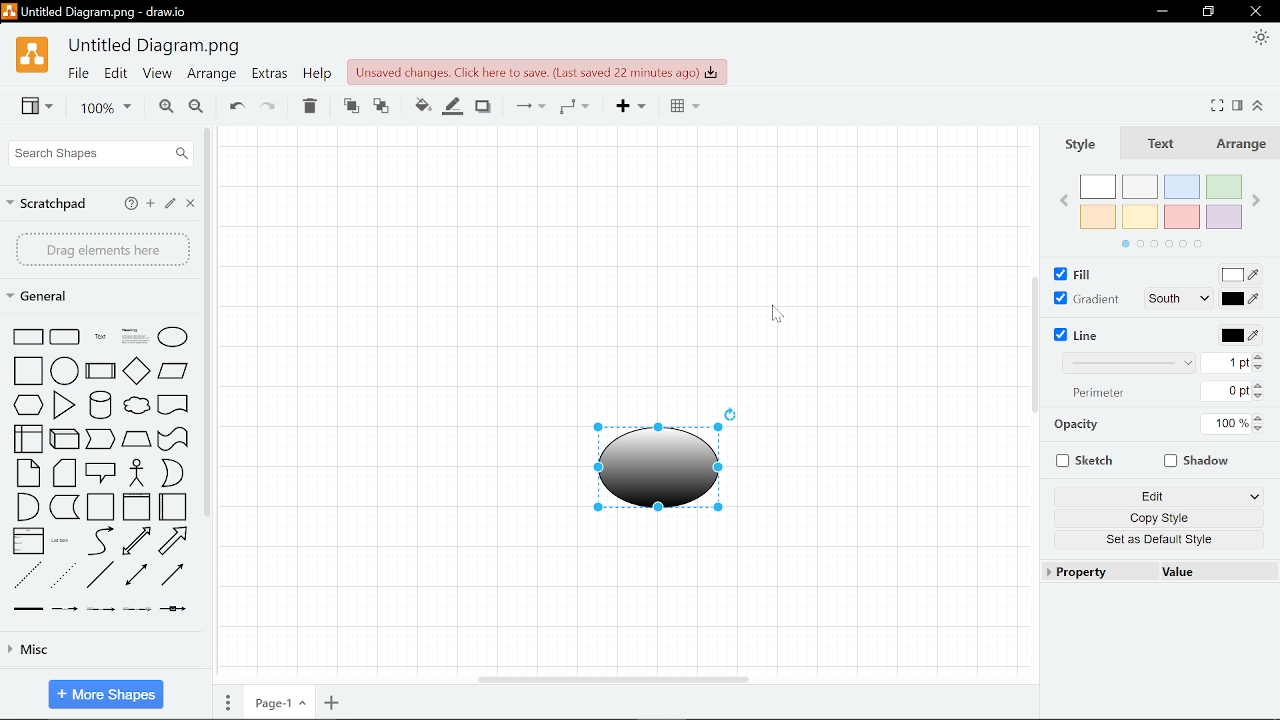 The image size is (1280, 720). Describe the element at coordinates (1181, 275) in the screenshot. I see `Auto` at that location.